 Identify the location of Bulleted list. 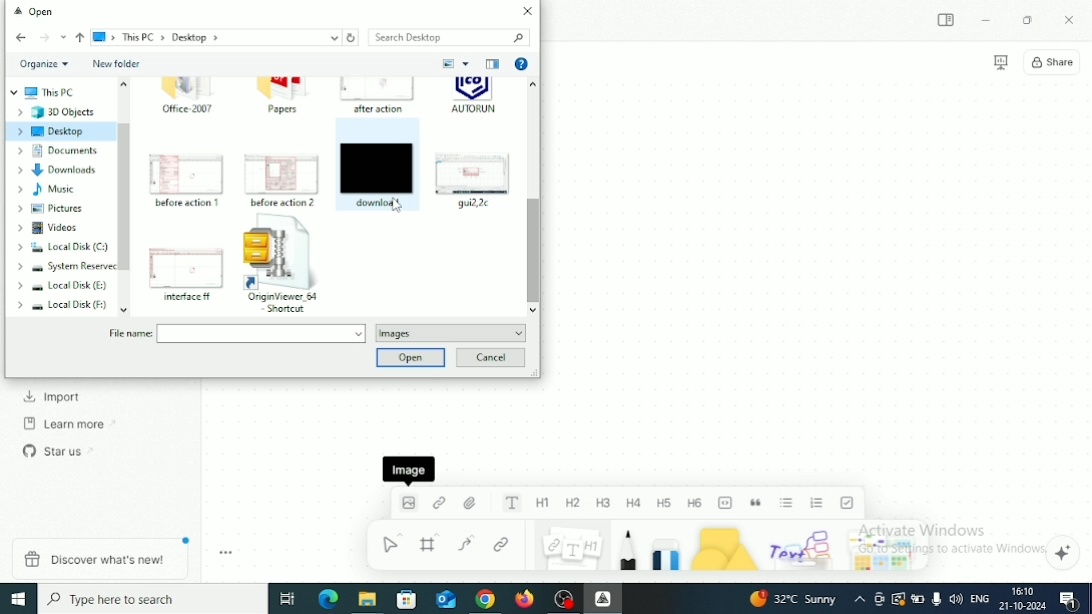
(787, 503).